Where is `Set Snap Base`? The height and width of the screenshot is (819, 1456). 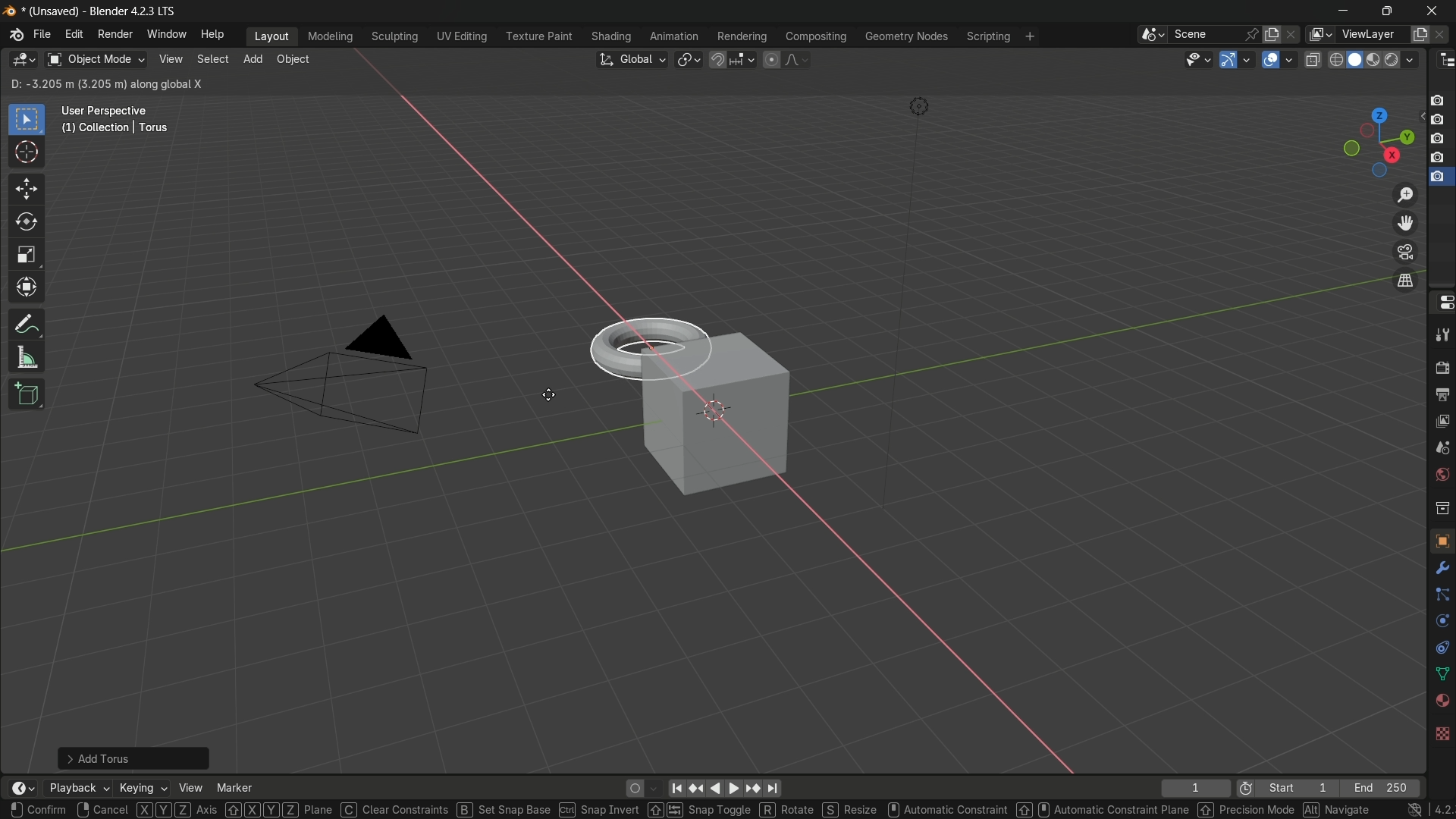 Set Snap Base is located at coordinates (504, 810).